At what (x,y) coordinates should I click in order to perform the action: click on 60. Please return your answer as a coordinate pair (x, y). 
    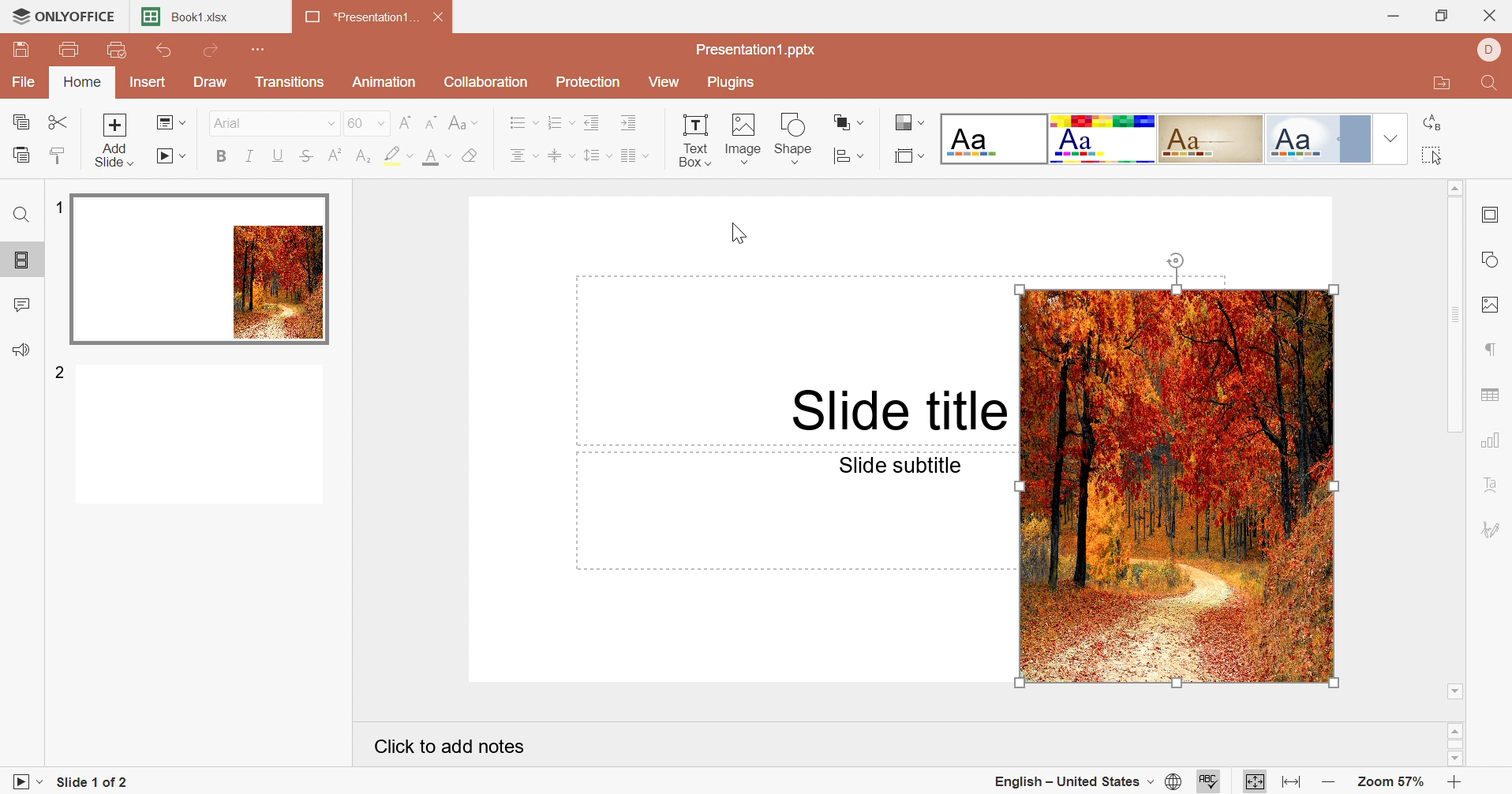
    Looking at the image, I should click on (365, 124).